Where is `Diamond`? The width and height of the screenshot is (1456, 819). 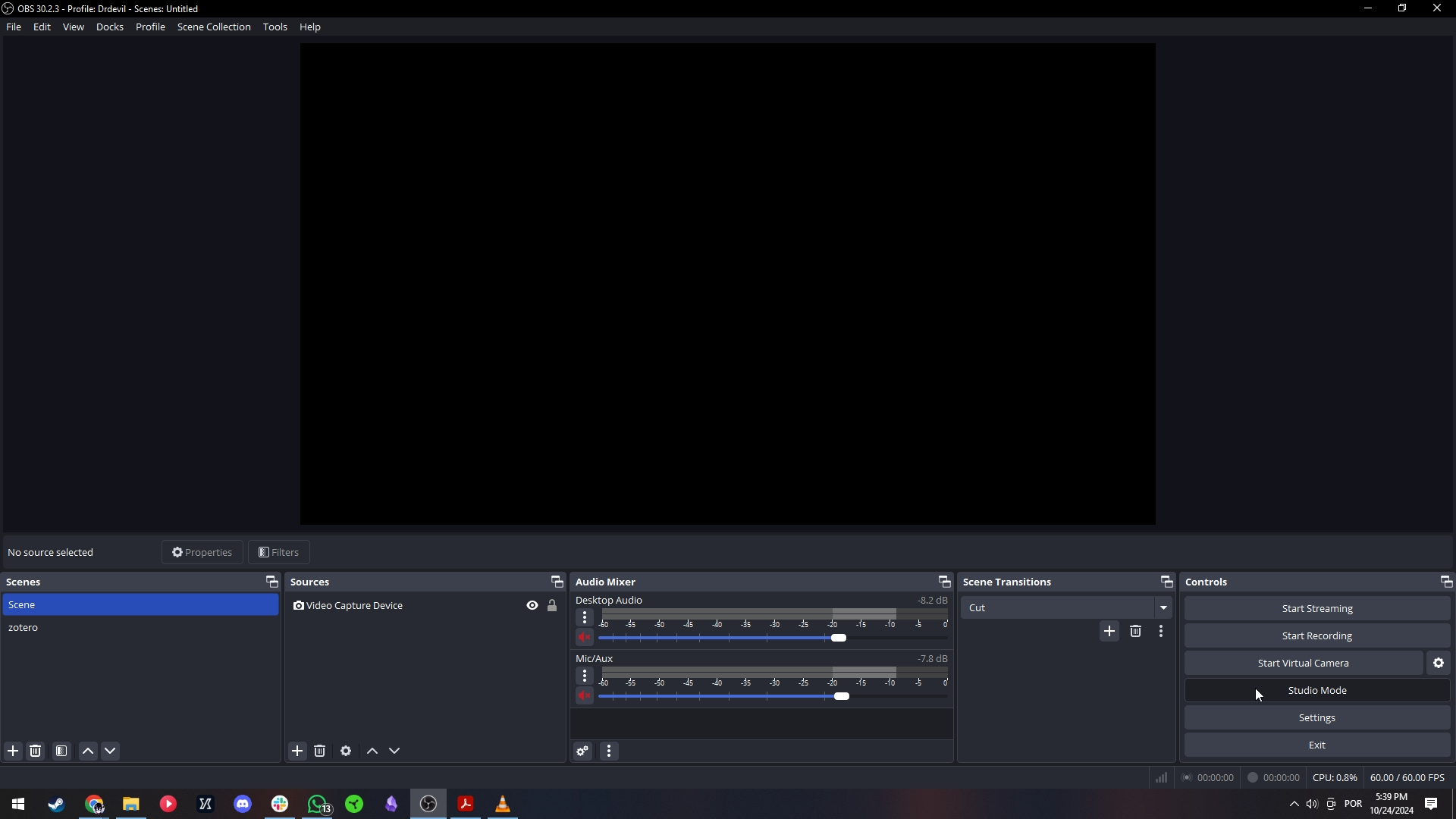 Diamond is located at coordinates (390, 803).